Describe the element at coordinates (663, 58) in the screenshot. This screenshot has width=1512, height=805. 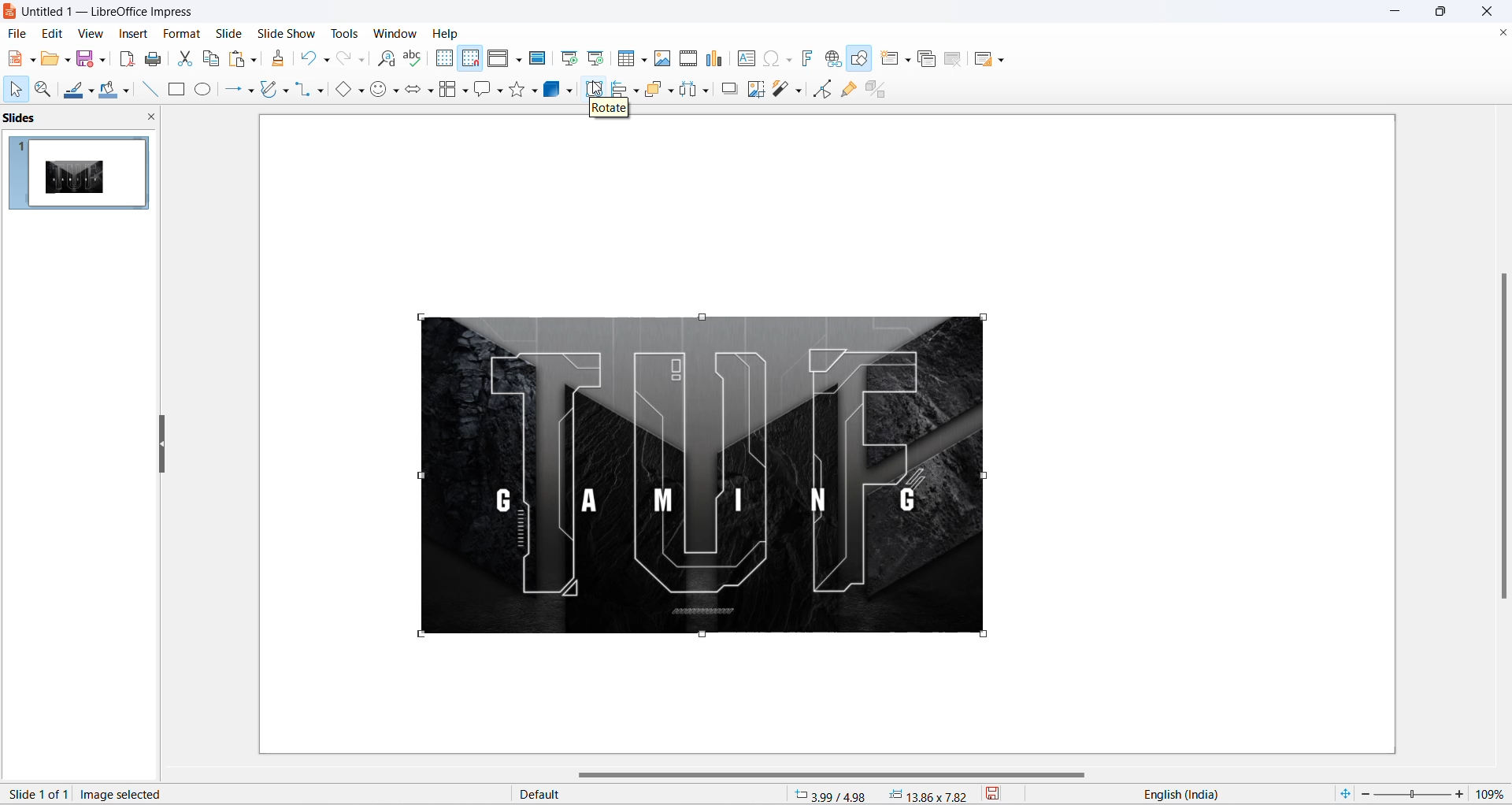
I see `insert images` at that location.